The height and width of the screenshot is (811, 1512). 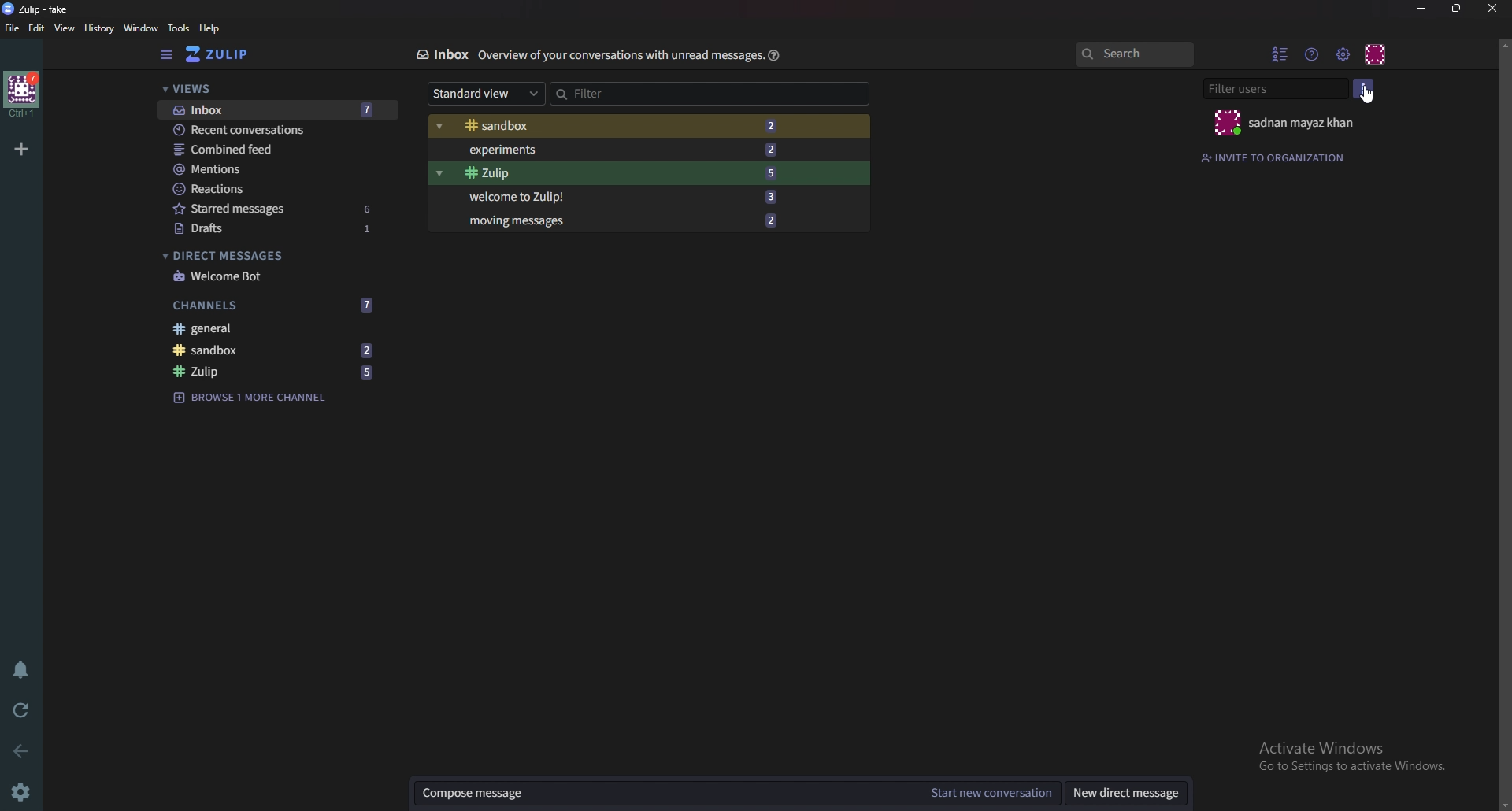 What do you see at coordinates (1282, 124) in the screenshot?
I see `User` at bounding box center [1282, 124].